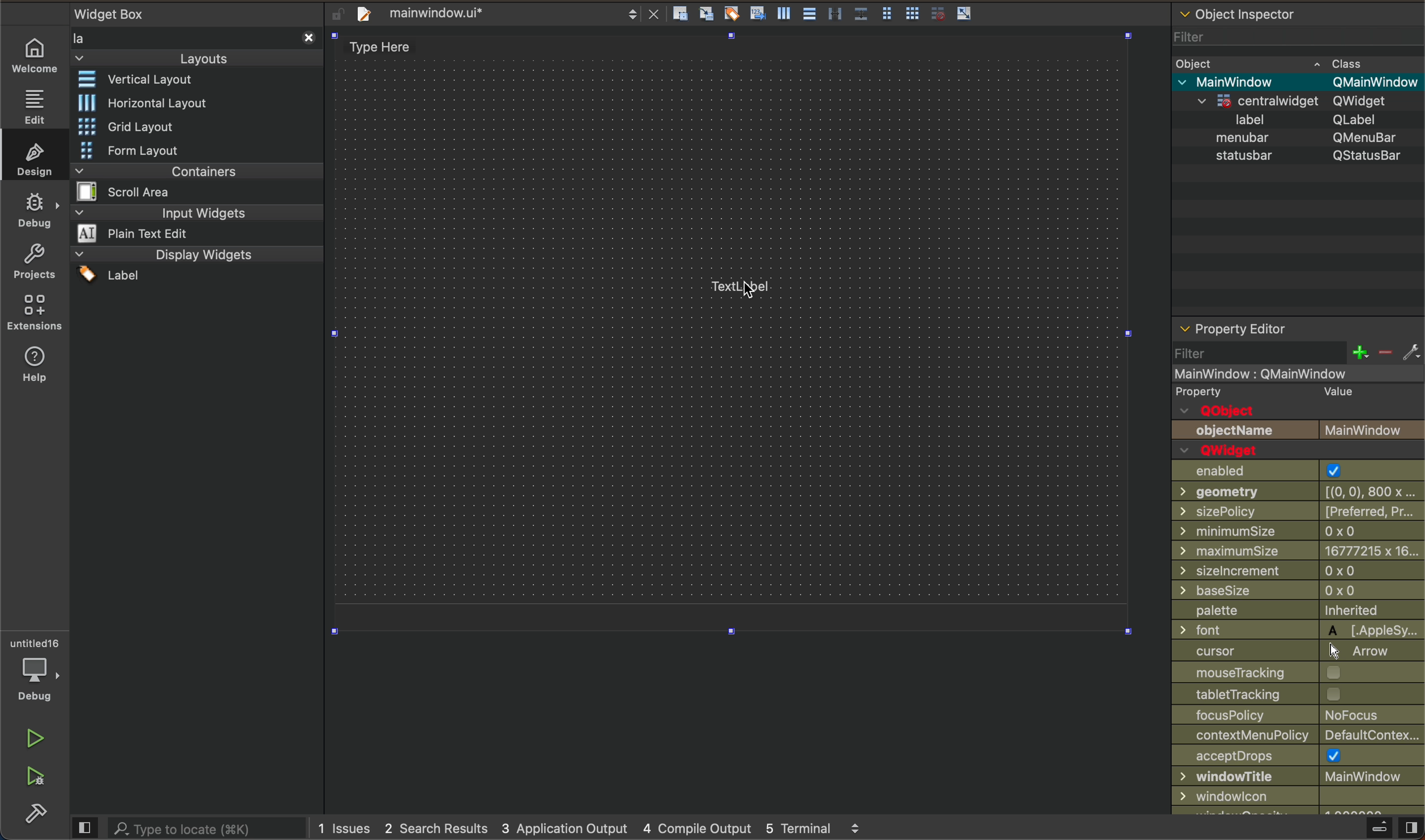 This screenshot has height=840, width=1425. Describe the element at coordinates (1295, 12) in the screenshot. I see `object inspector` at that location.